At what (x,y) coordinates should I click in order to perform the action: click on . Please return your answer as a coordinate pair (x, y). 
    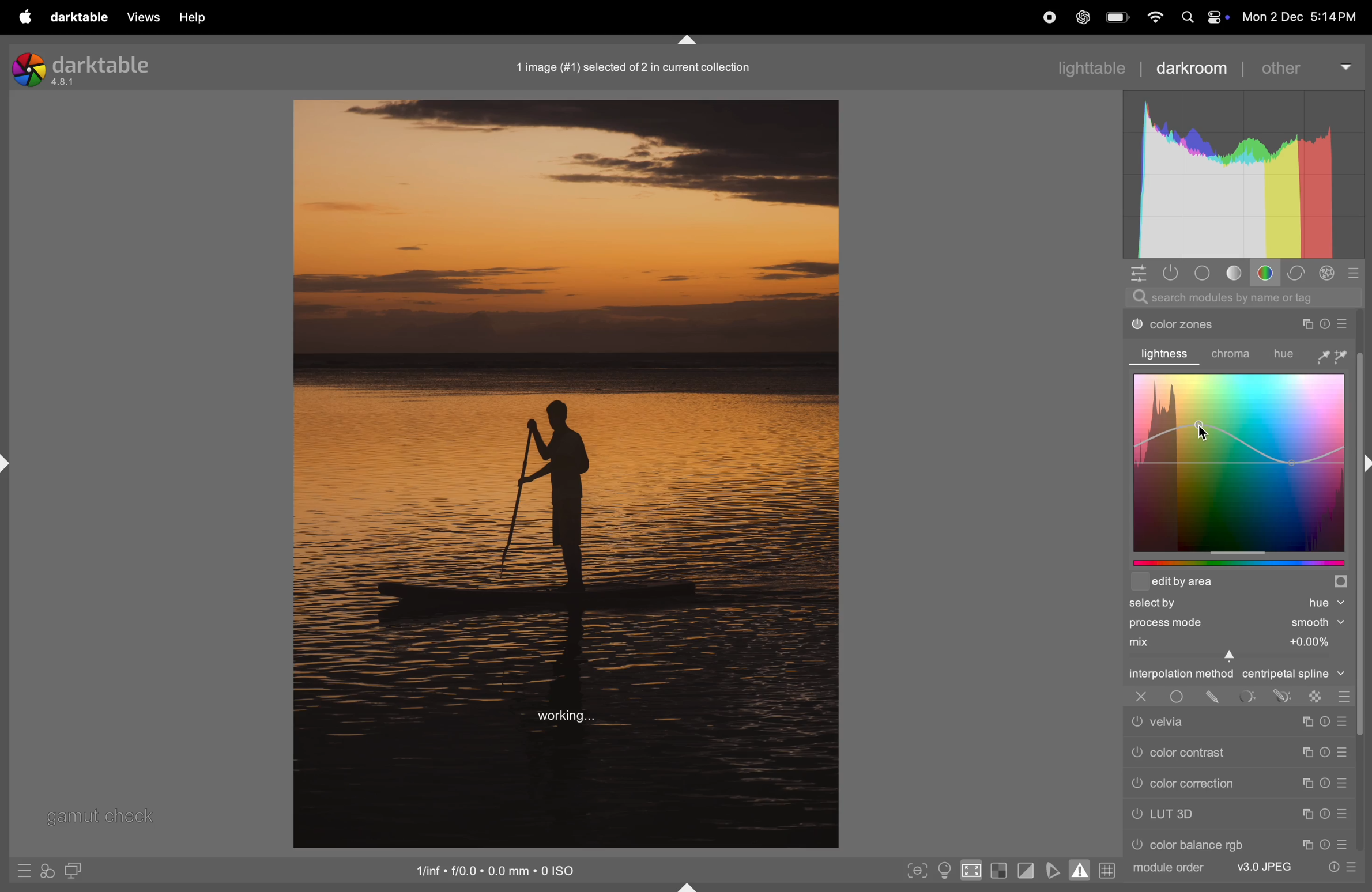
    Looking at the image, I should click on (1140, 271).